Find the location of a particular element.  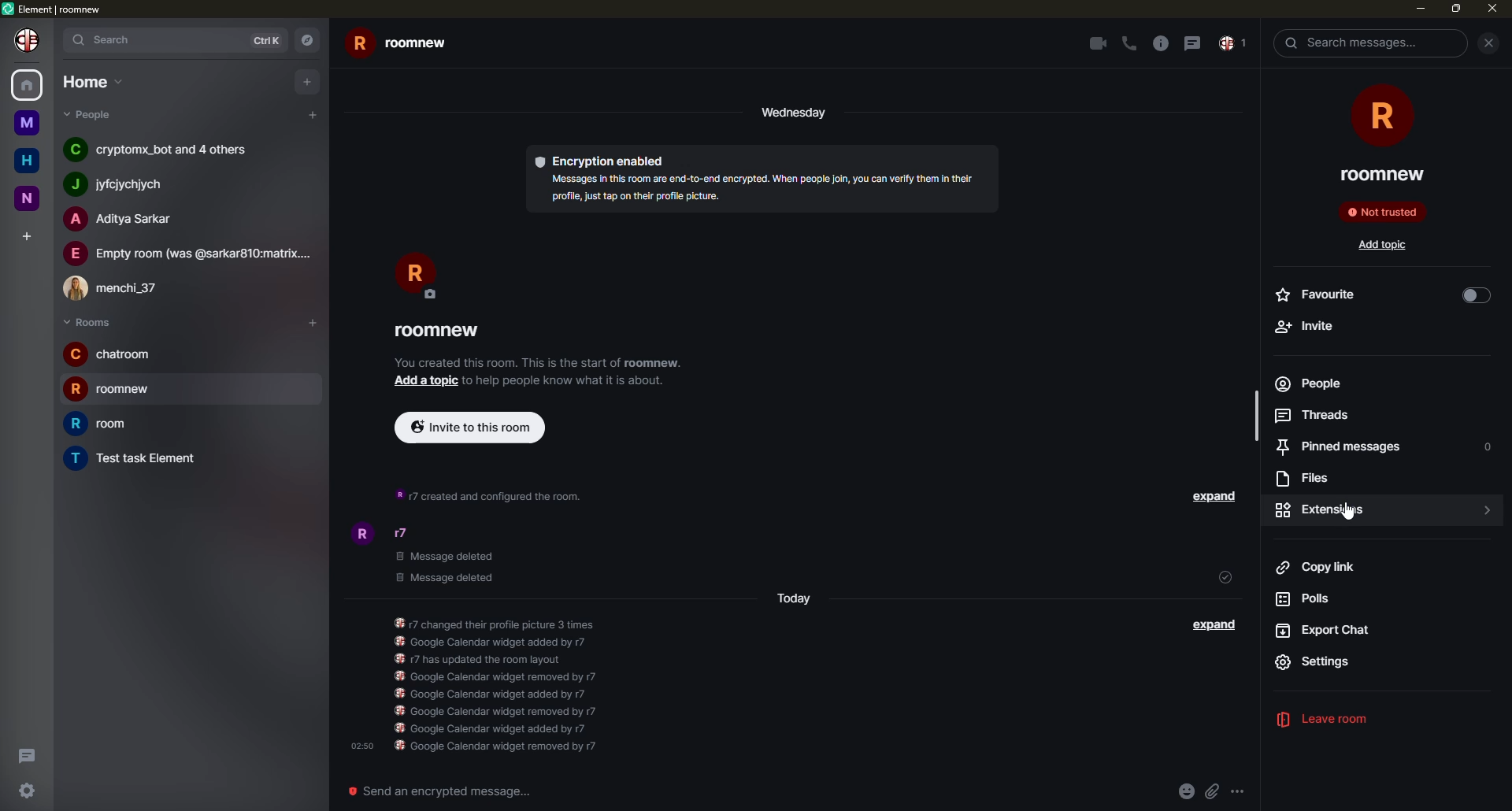

profile is located at coordinates (28, 41).